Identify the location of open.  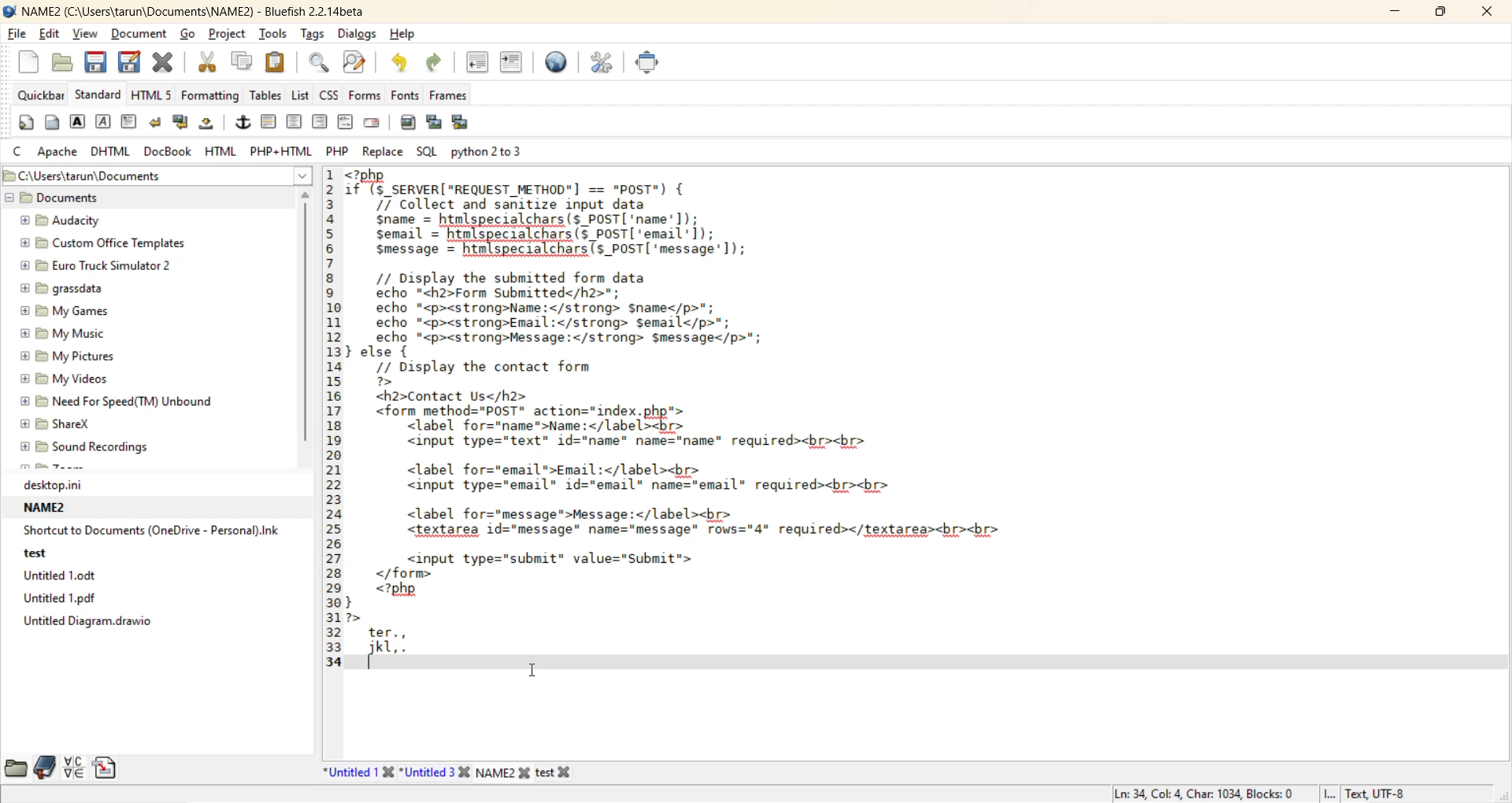
(65, 65).